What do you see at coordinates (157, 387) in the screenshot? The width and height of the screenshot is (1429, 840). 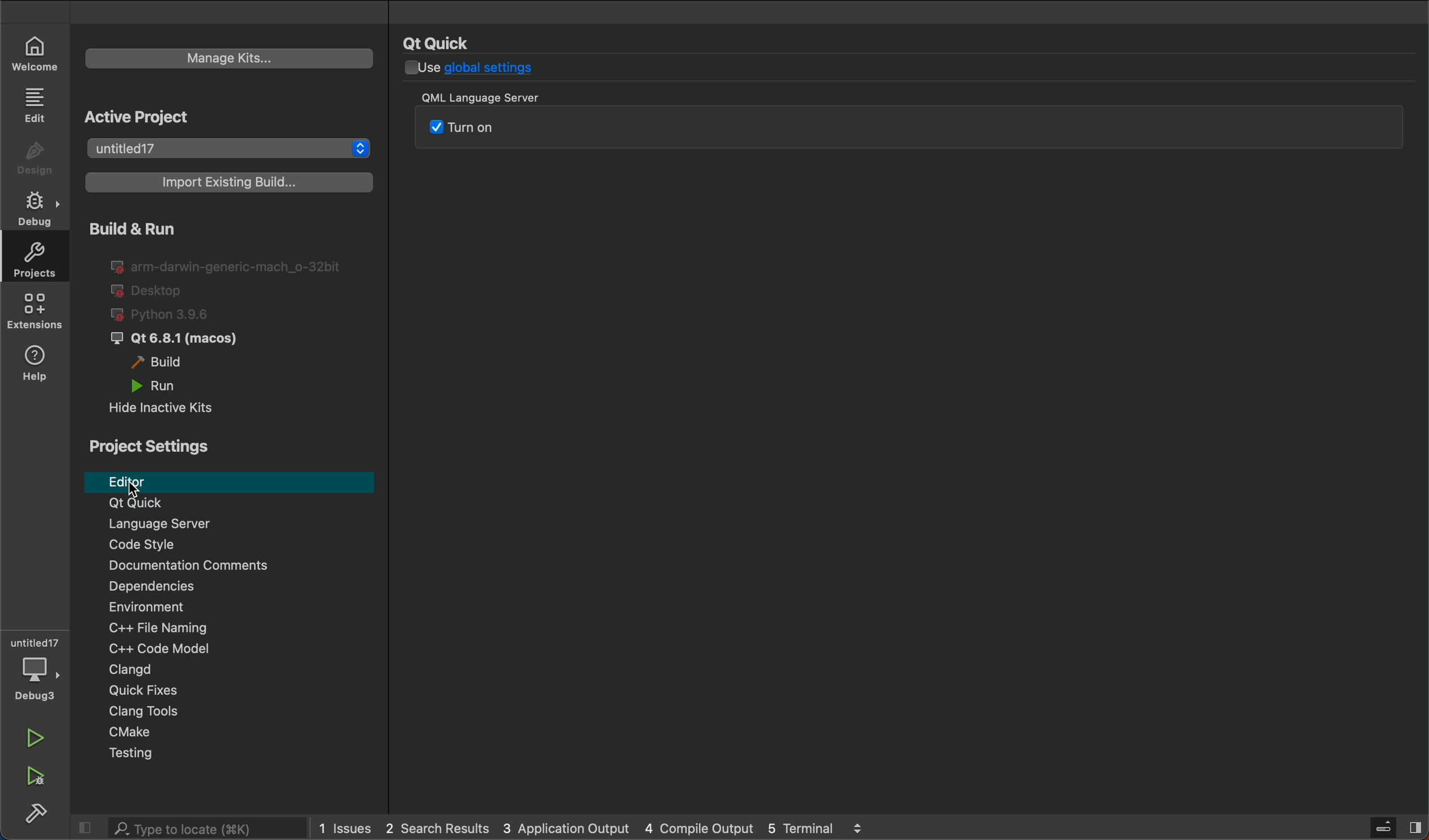 I see `run` at bounding box center [157, 387].